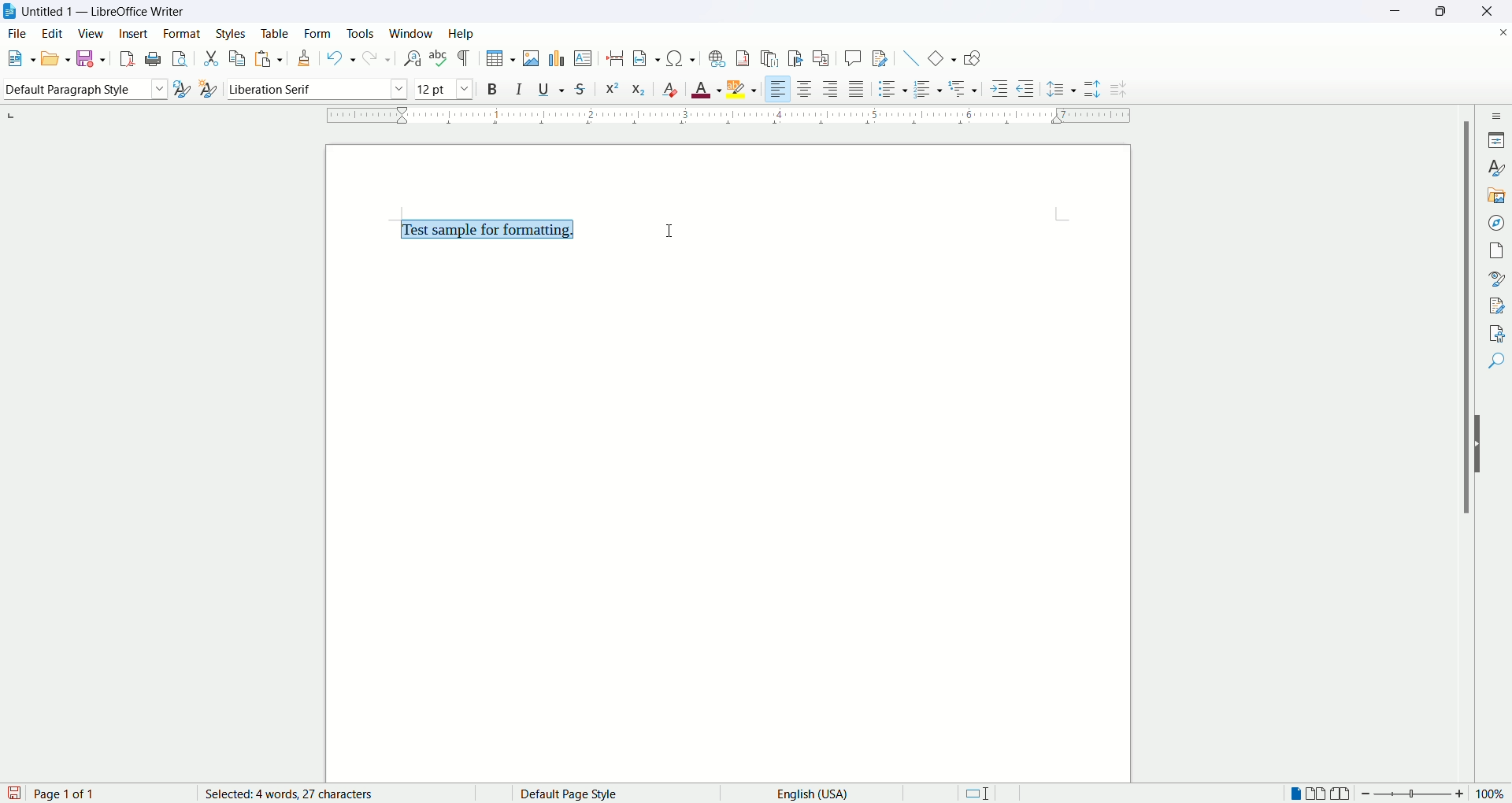 Image resolution: width=1512 pixels, height=803 pixels. I want to click on insert field, so click(644, 59).